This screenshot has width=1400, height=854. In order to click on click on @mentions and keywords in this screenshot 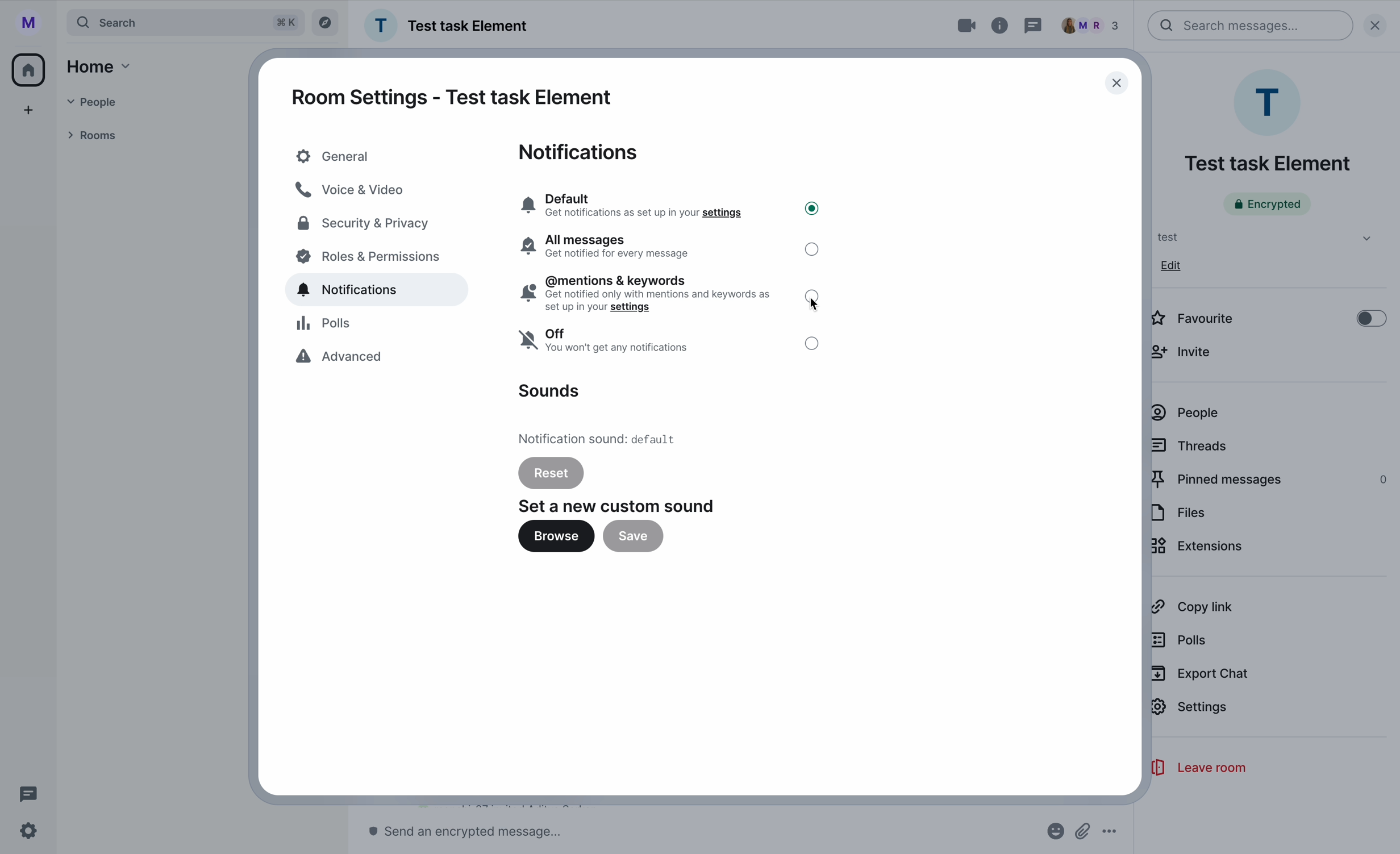, I will do `click(672, 296)`.